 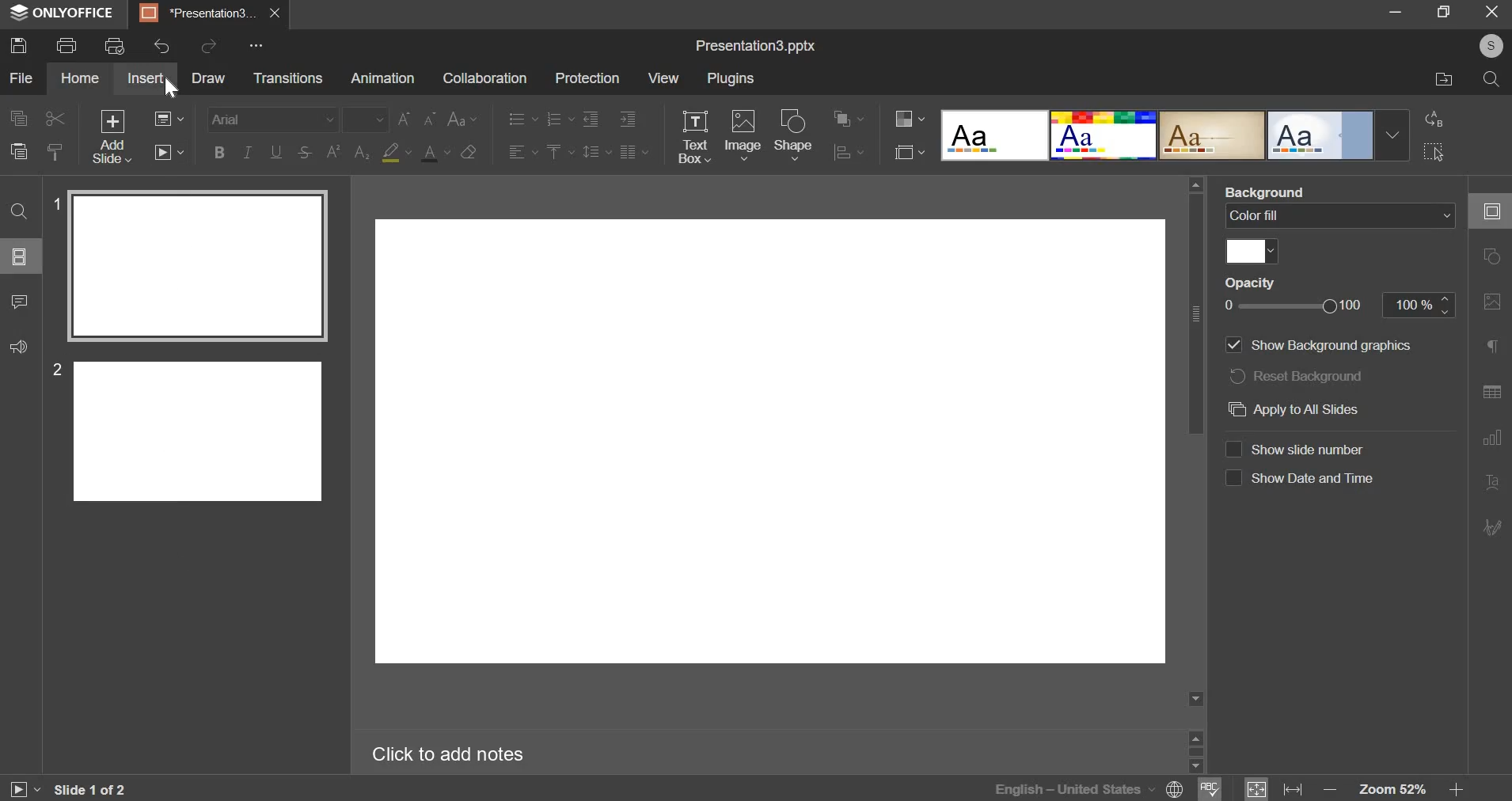 What do you see at coordinates (18, 151) in the screenshot?
I see `paste` at bounding box center [18, 151].